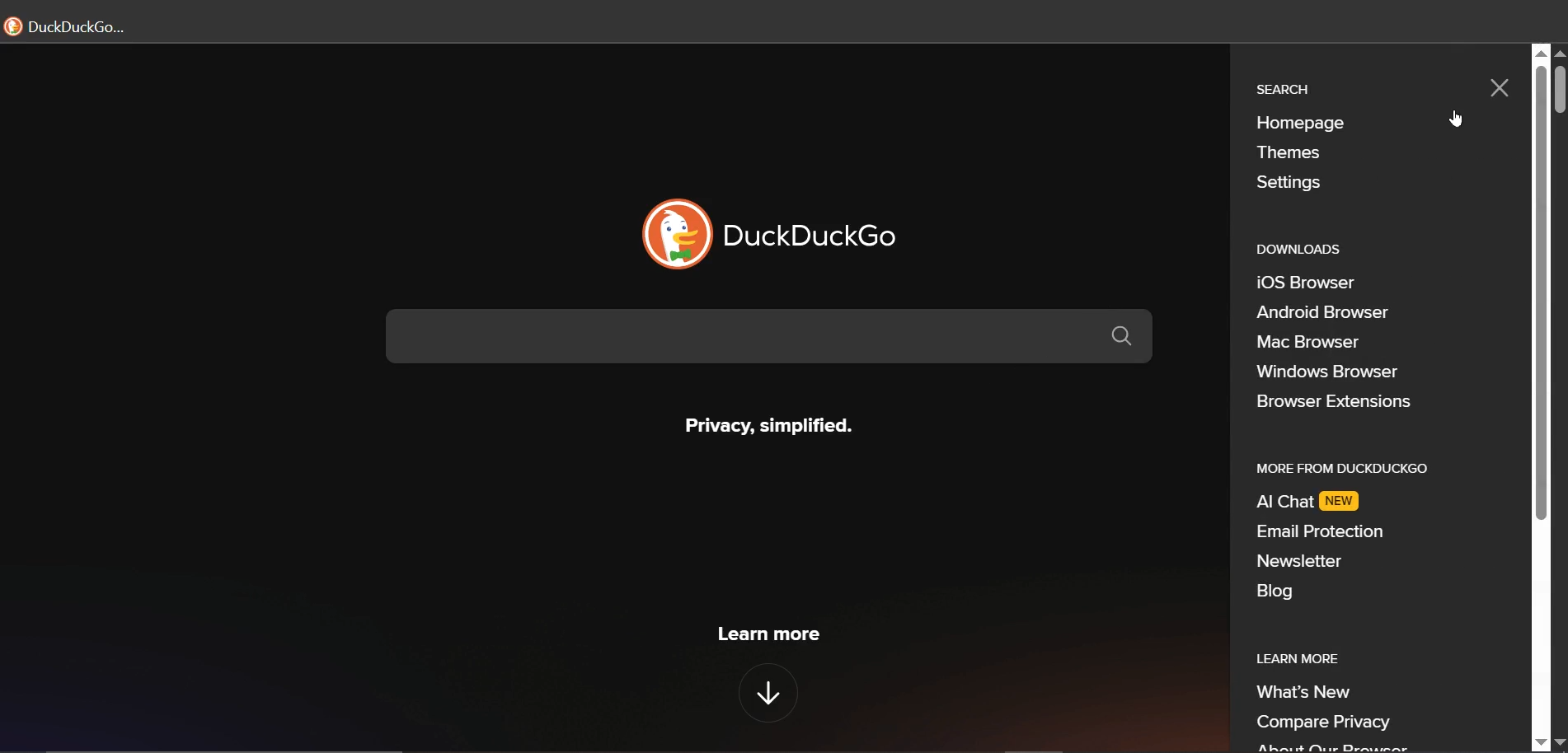 Image resolution: width=1568 pixels, height=753 pixels. What do you see at coordinates (1303, 282) in the screenshot?
I see `iOS Browser` at bounding box center [1303, 282].